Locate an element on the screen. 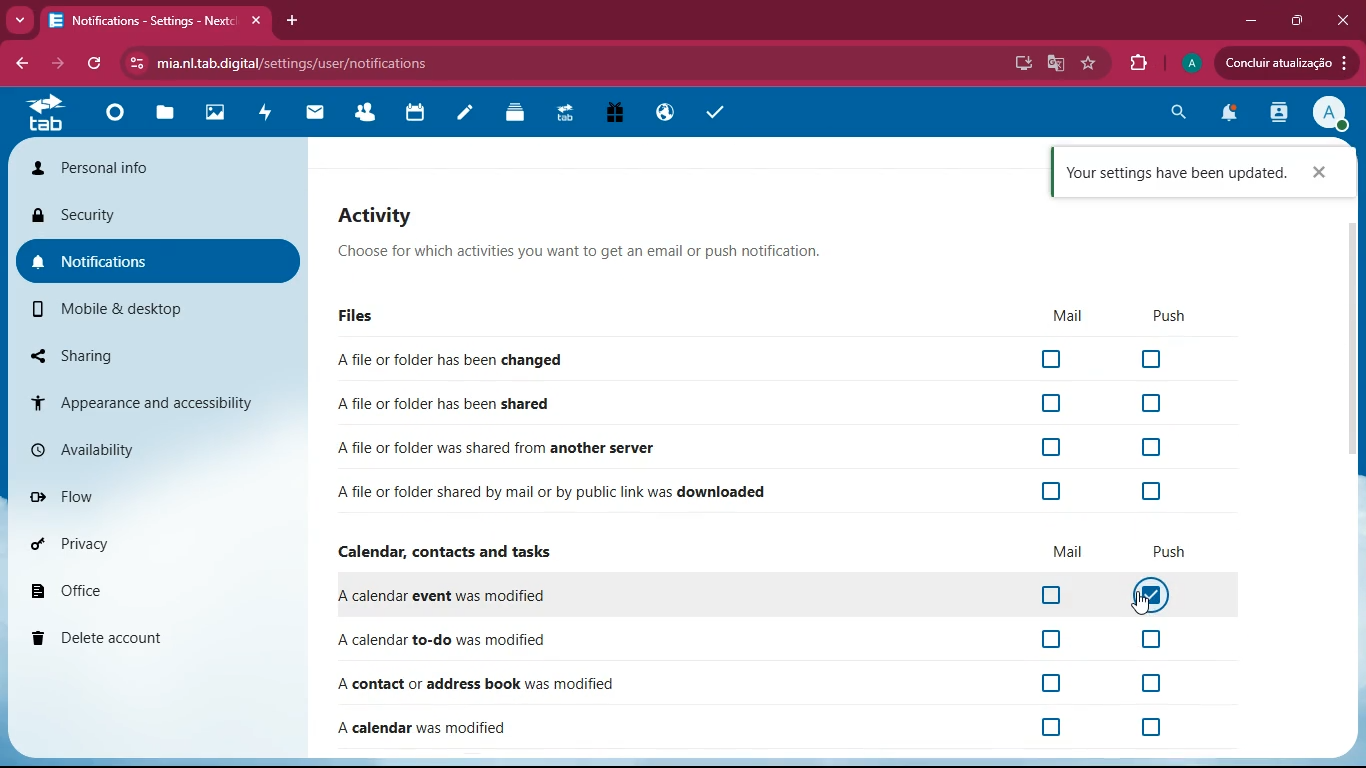 The image size is (1366, 768). mail is located at coordinates (314, 115).